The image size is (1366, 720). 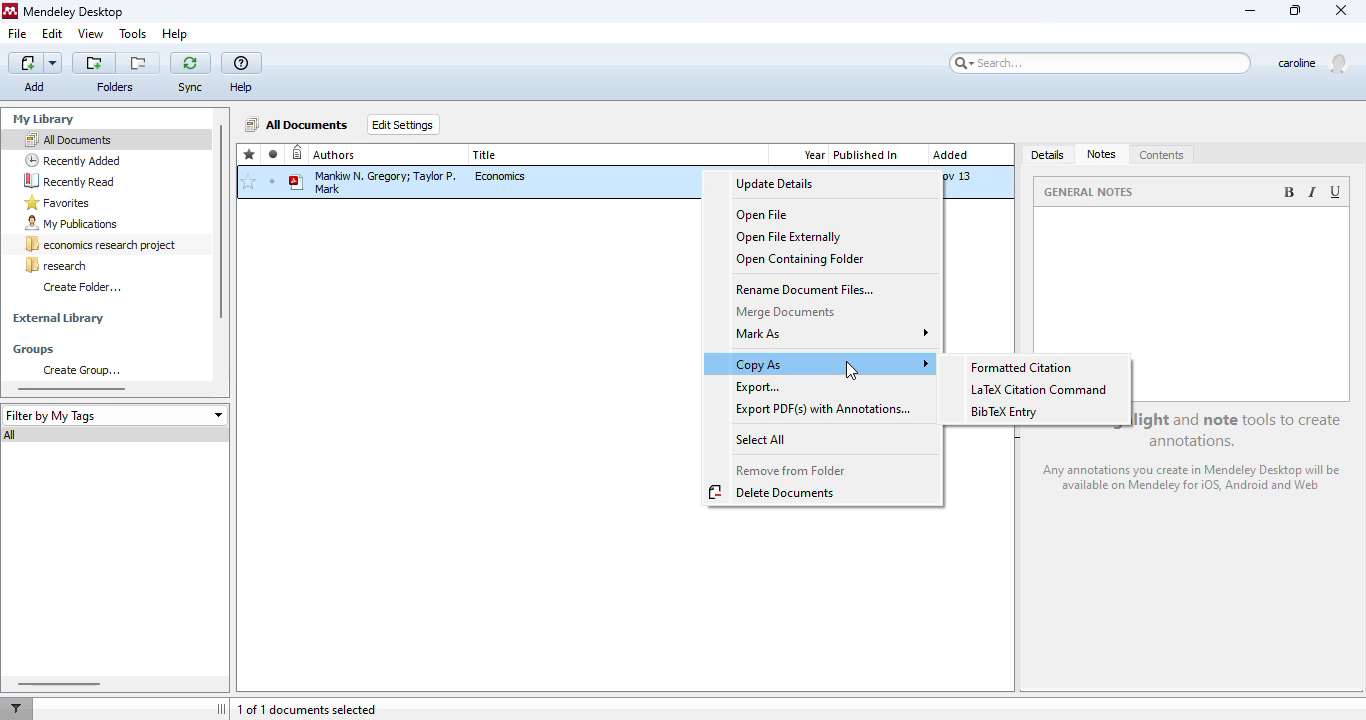 I want to click on search, so click(x=1101, y=63).